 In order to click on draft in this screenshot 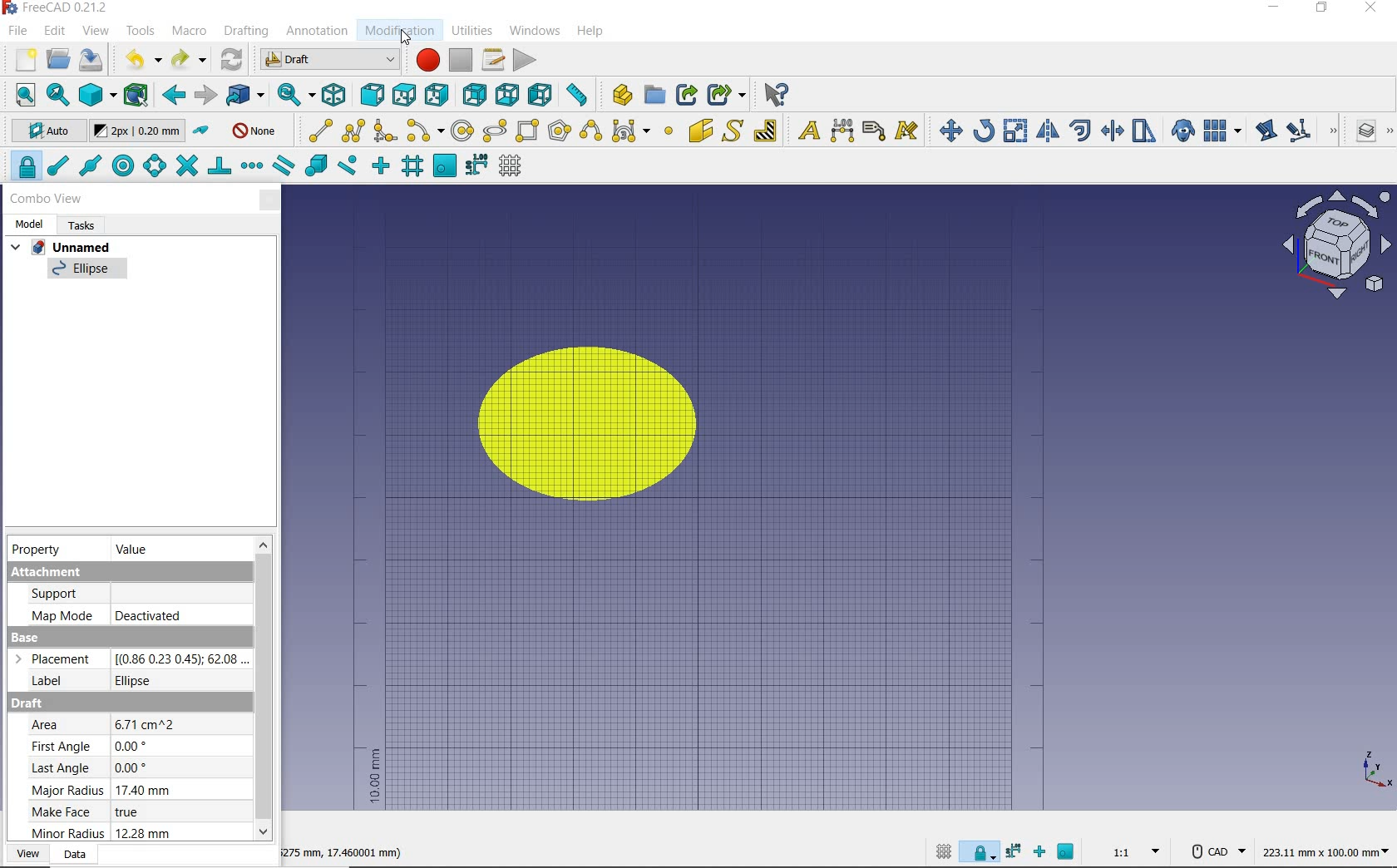, I will do `click(122, 770)`.